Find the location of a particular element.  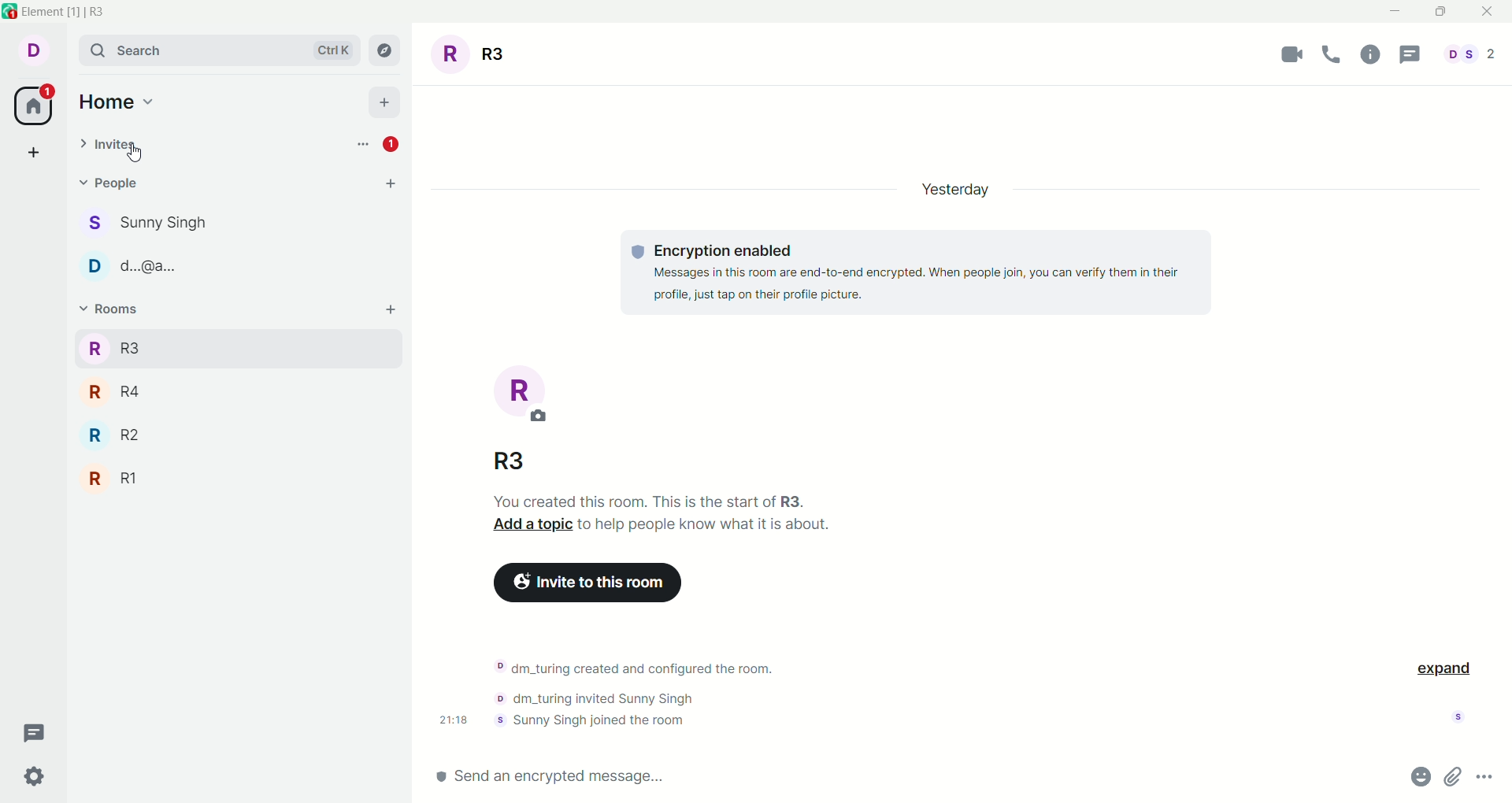

people is located at coordinates (112, 185).